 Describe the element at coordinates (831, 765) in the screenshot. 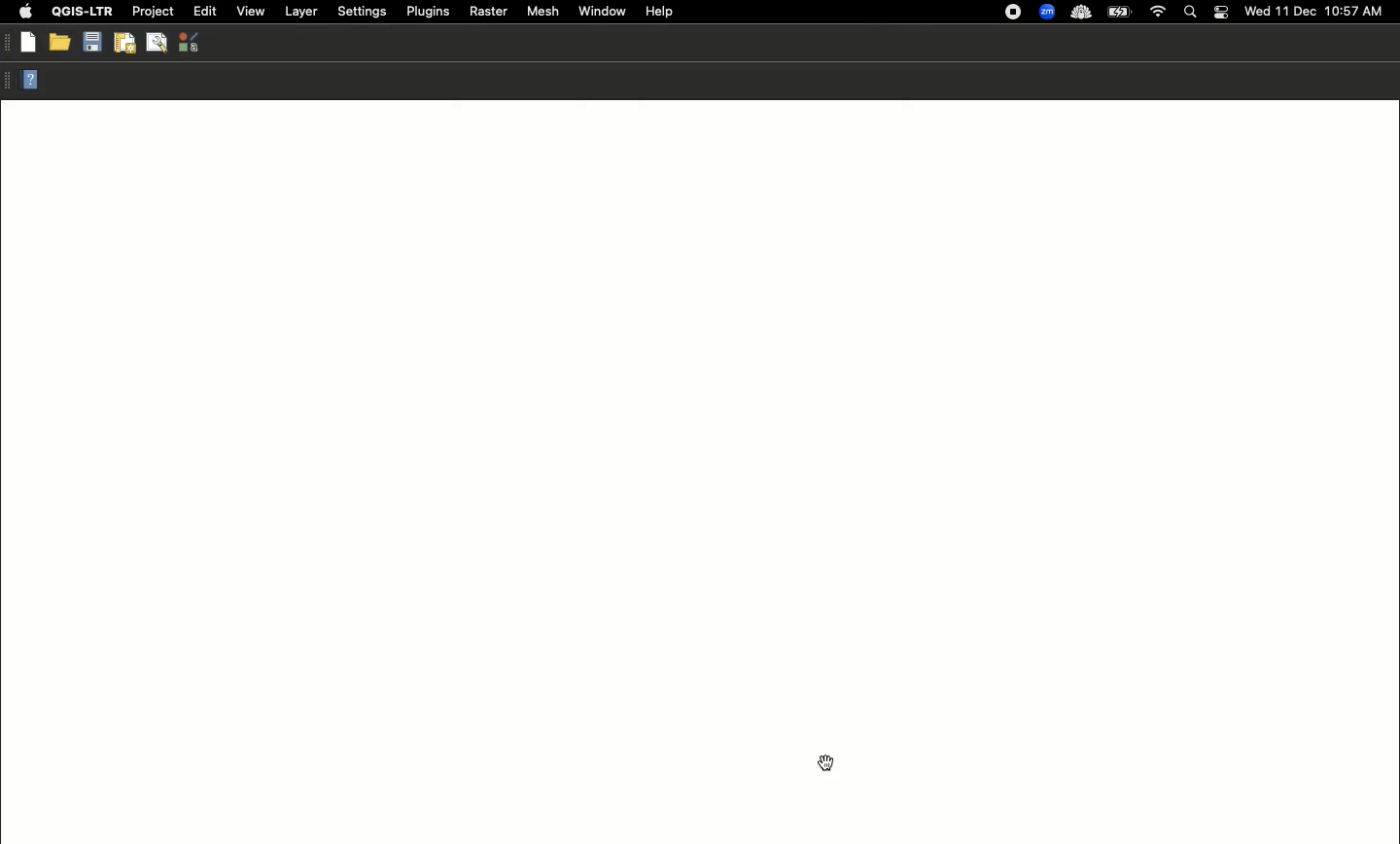

I see `No updates` at that location.